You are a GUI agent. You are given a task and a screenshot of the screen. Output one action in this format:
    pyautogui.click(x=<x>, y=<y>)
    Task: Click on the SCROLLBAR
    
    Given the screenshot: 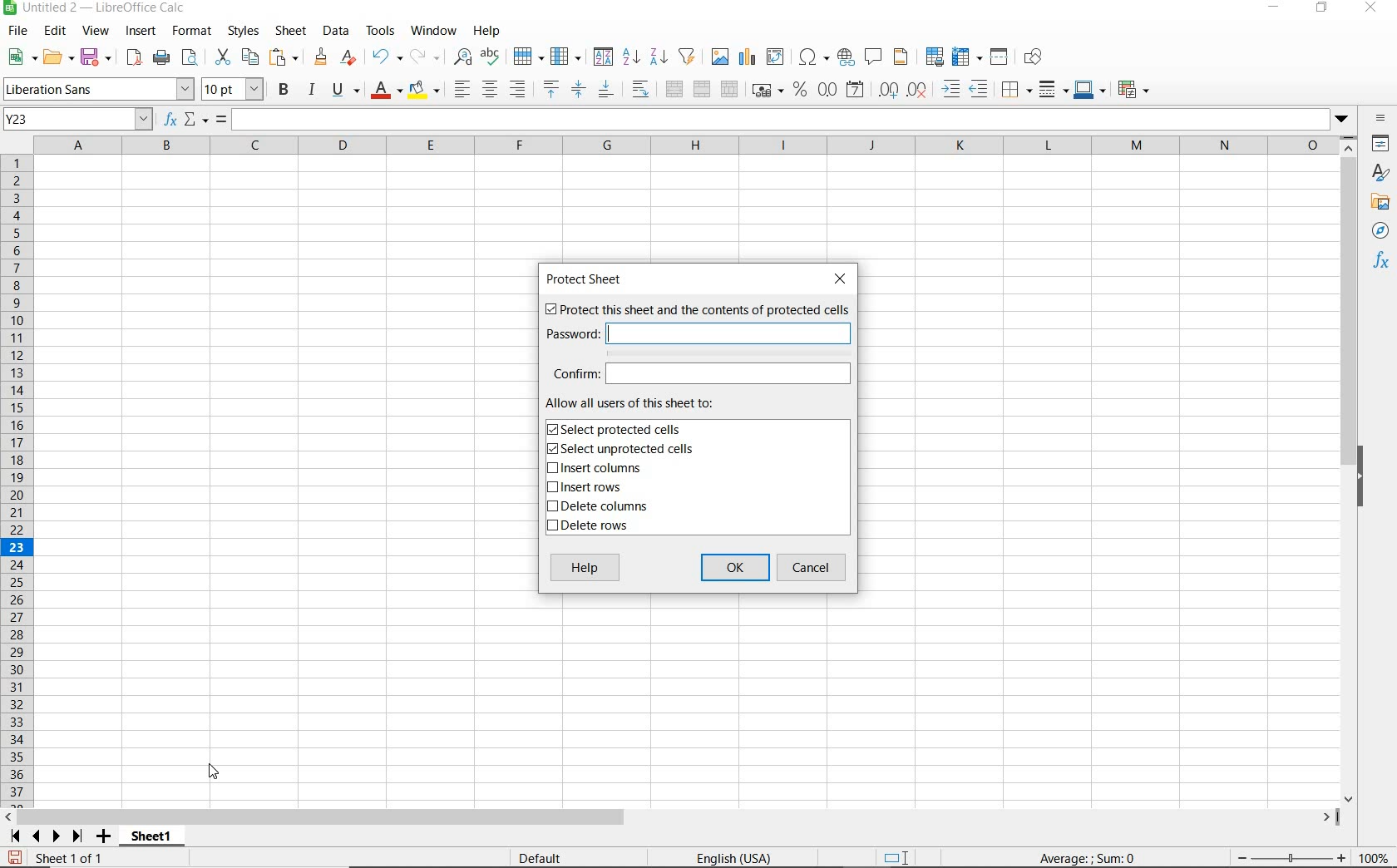 What is the action you would take?
    pyautogui.click(x=1349, y=470)
    